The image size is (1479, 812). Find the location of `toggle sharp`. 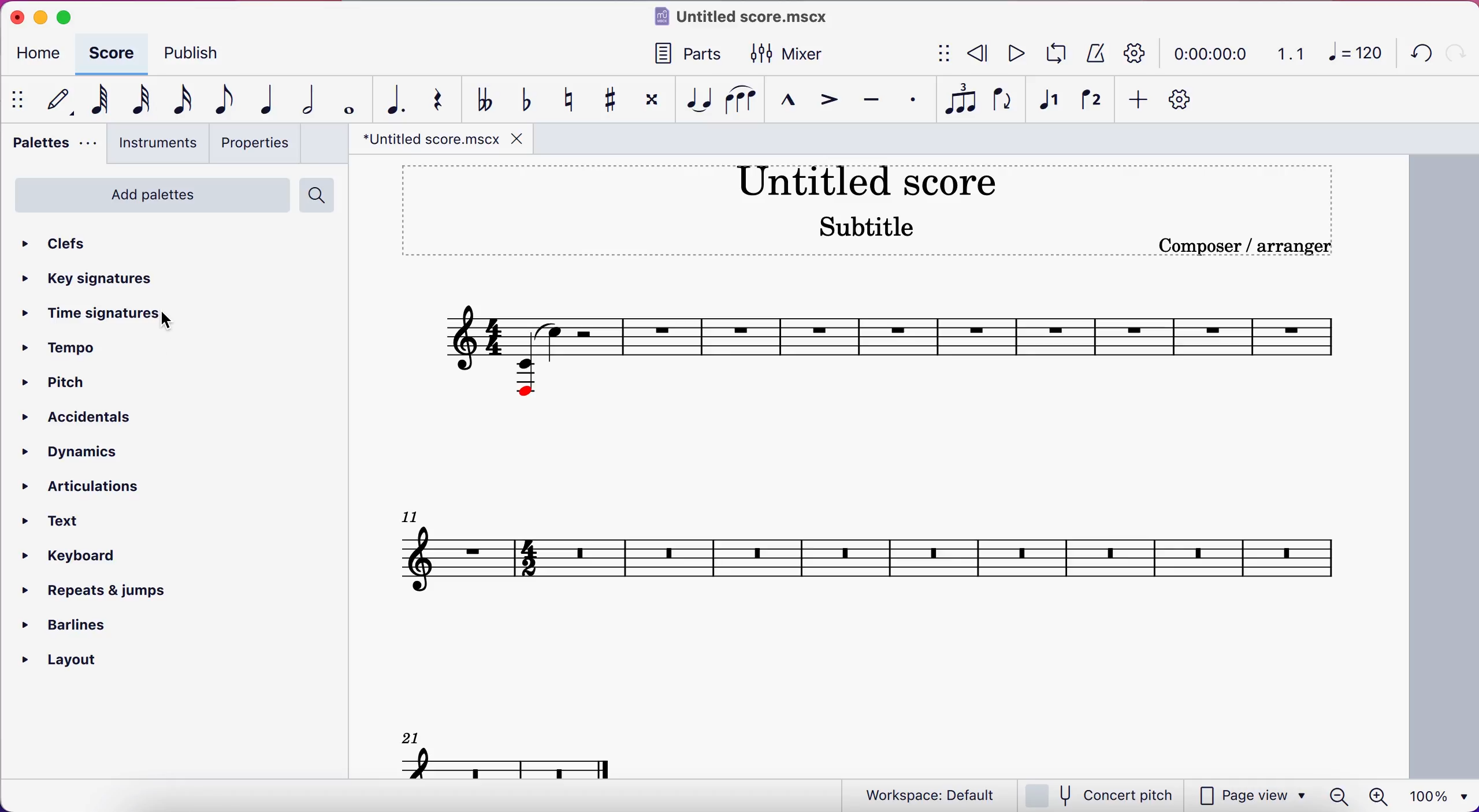

toggle sharp is located at coordinates (607, 99).